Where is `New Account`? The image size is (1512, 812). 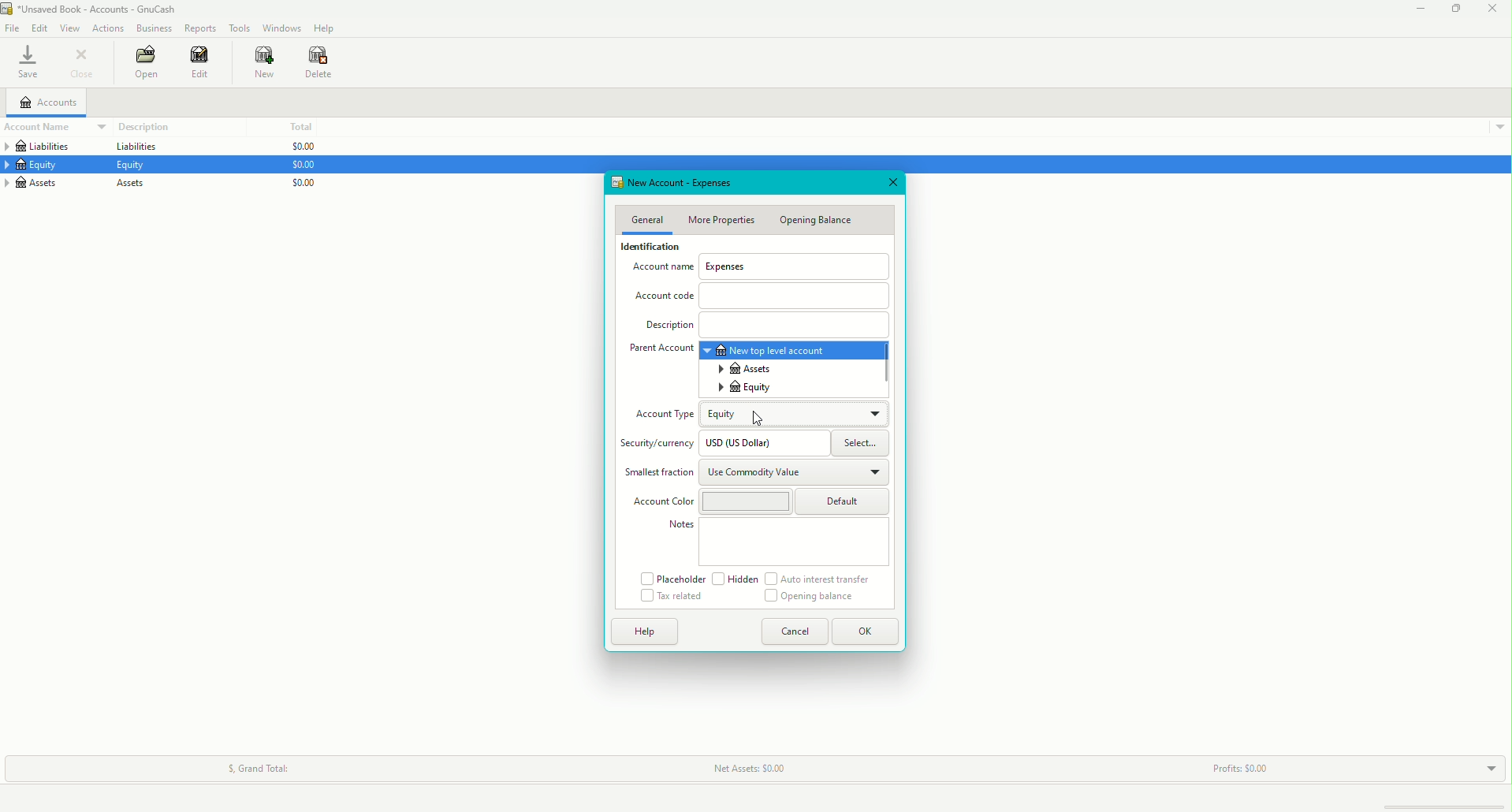
New Account is located at coordinates (709, 183).